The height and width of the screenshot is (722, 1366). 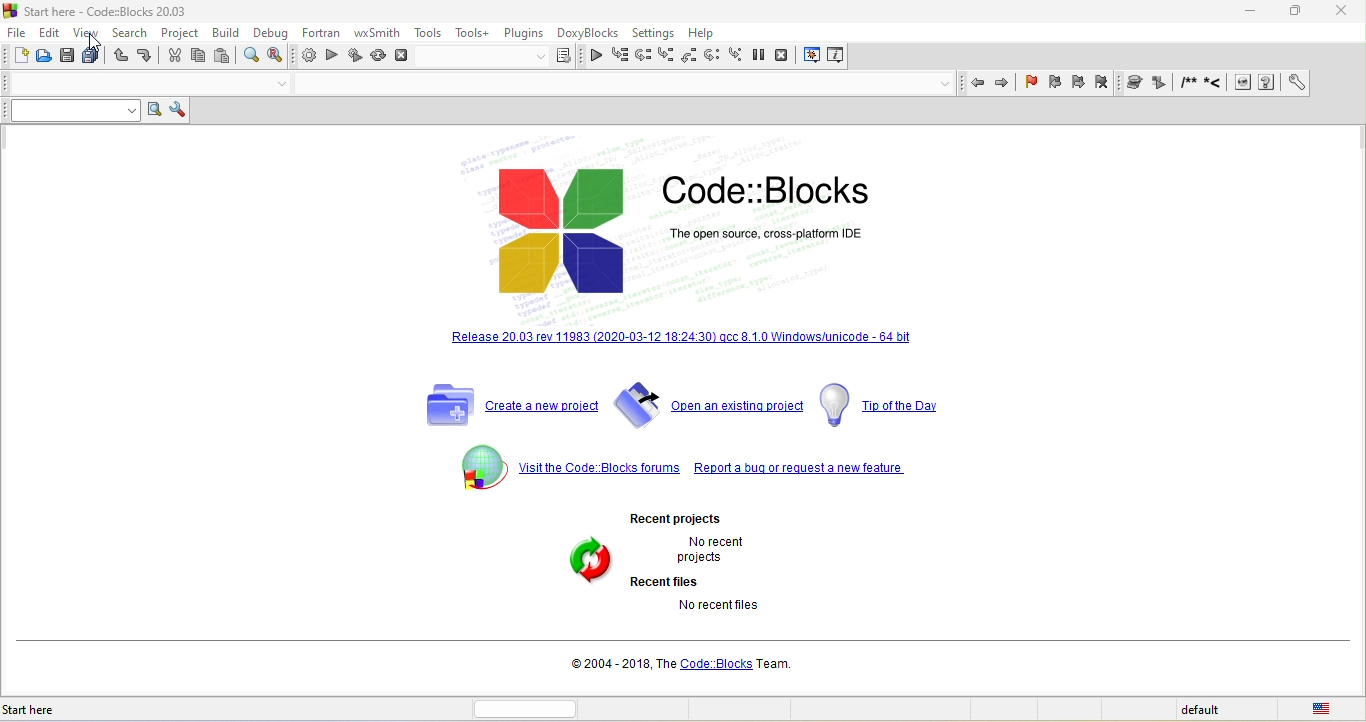 What do you see at coordinates (1201, 711) in the screenshot?
I see `default` at bounding box center [1201, 711].